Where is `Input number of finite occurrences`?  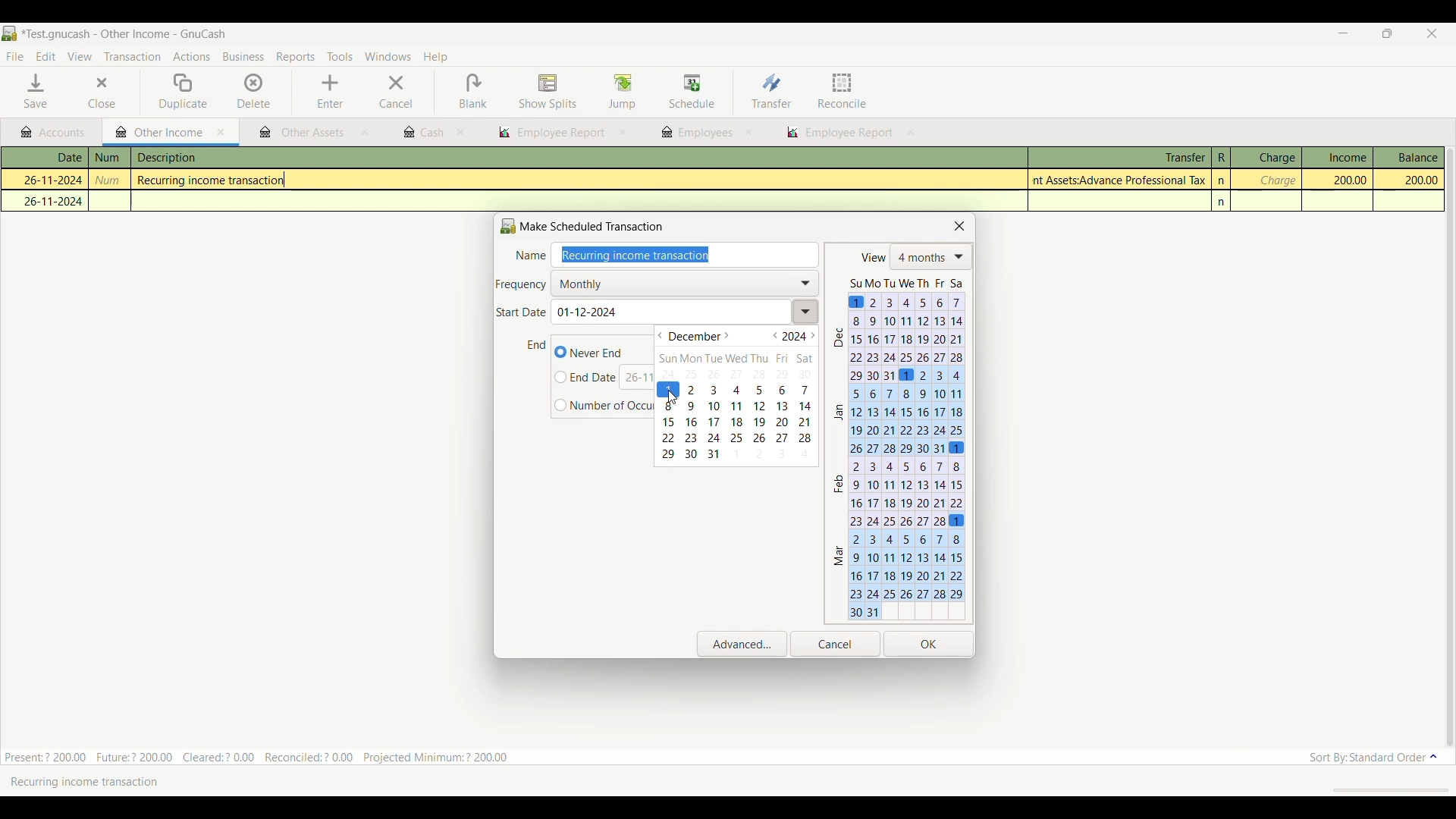
Input number of finite occurrences is located at coordinates (605, 406).